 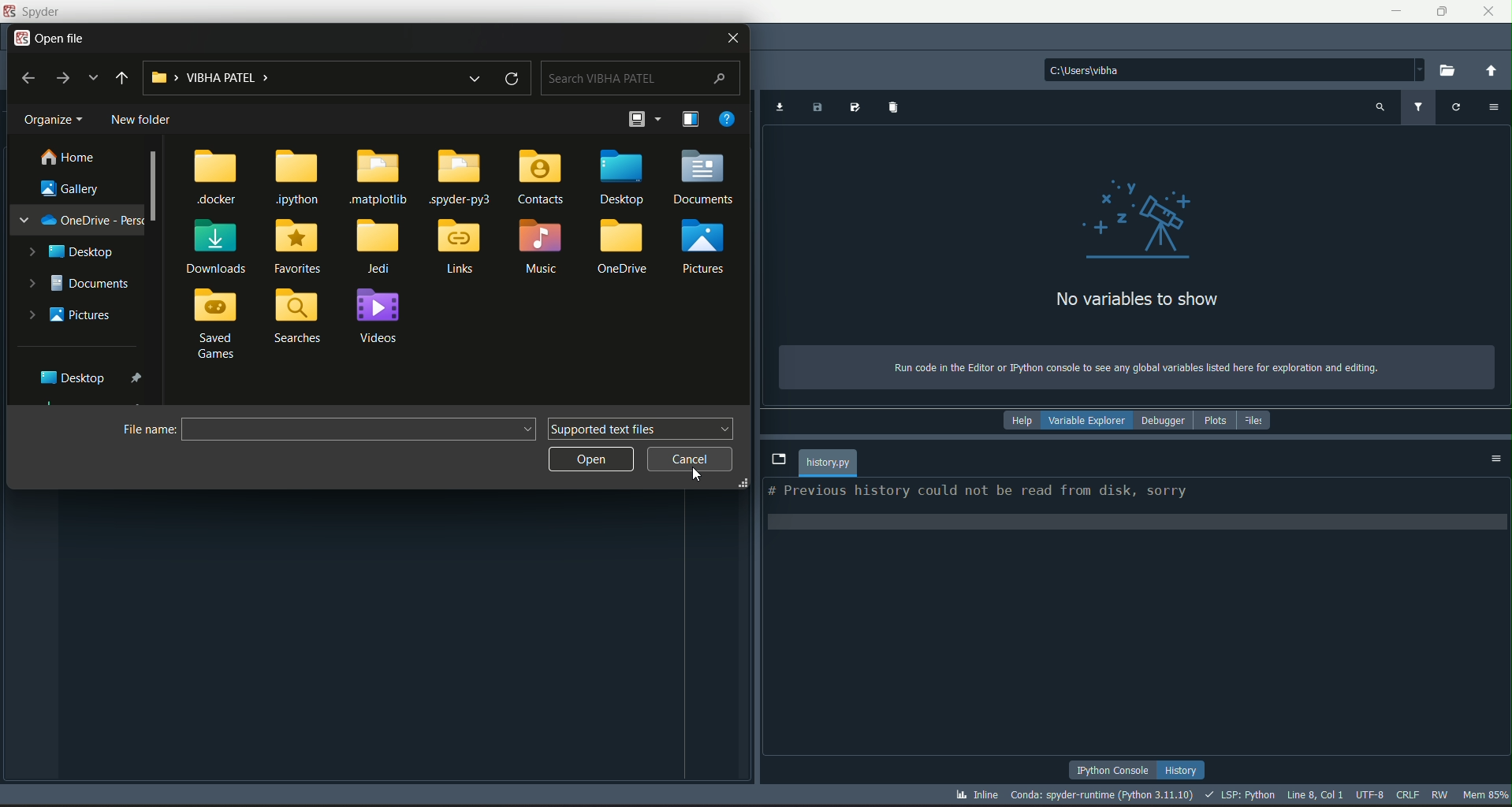 What do you see at coordinates (83, 284) in the screenshot?
I see `documents` at bounding box center [83, 284].